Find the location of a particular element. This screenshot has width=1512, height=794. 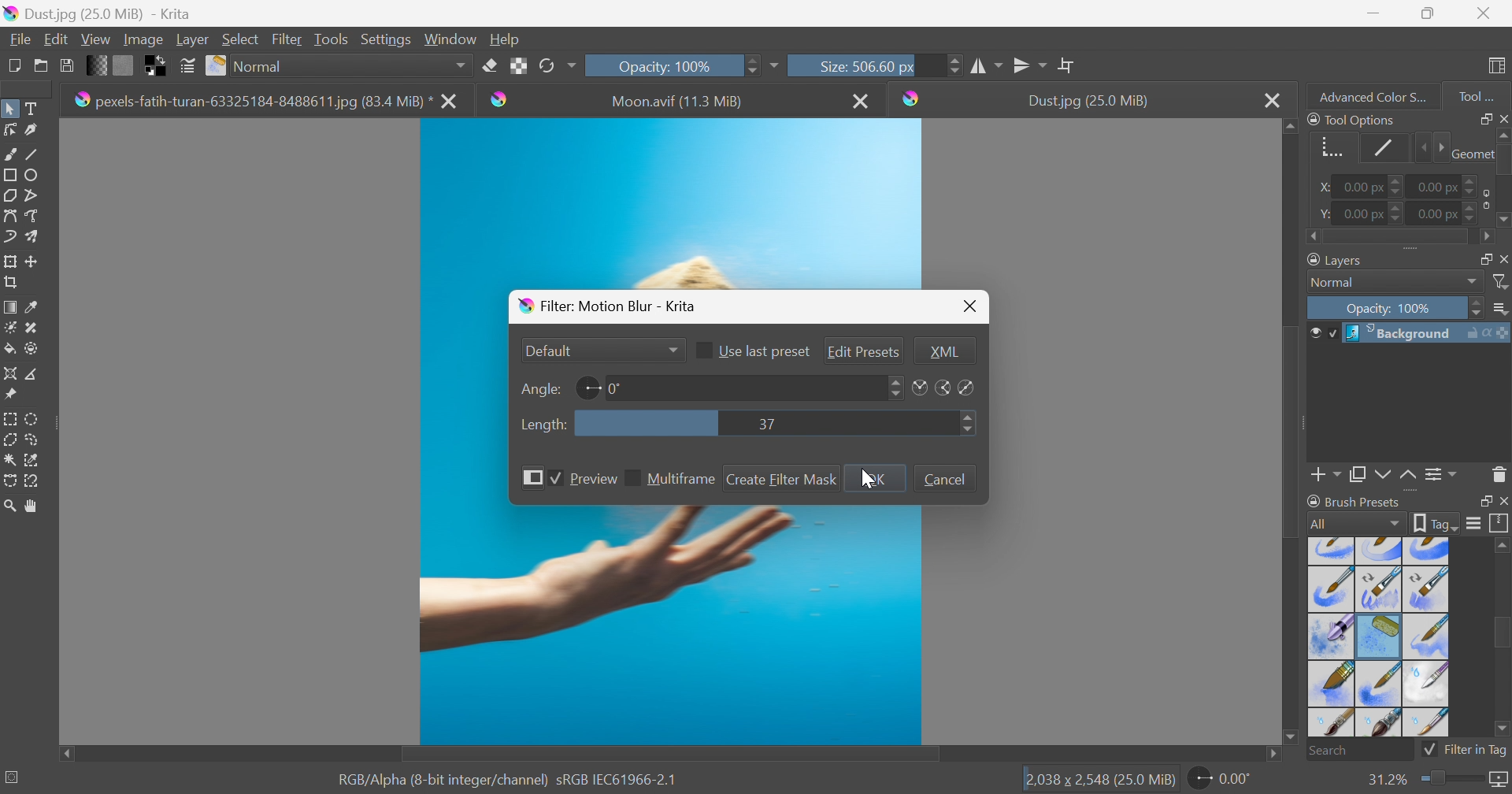

Bezier curve selection tool is located at coordinates (11, 460).